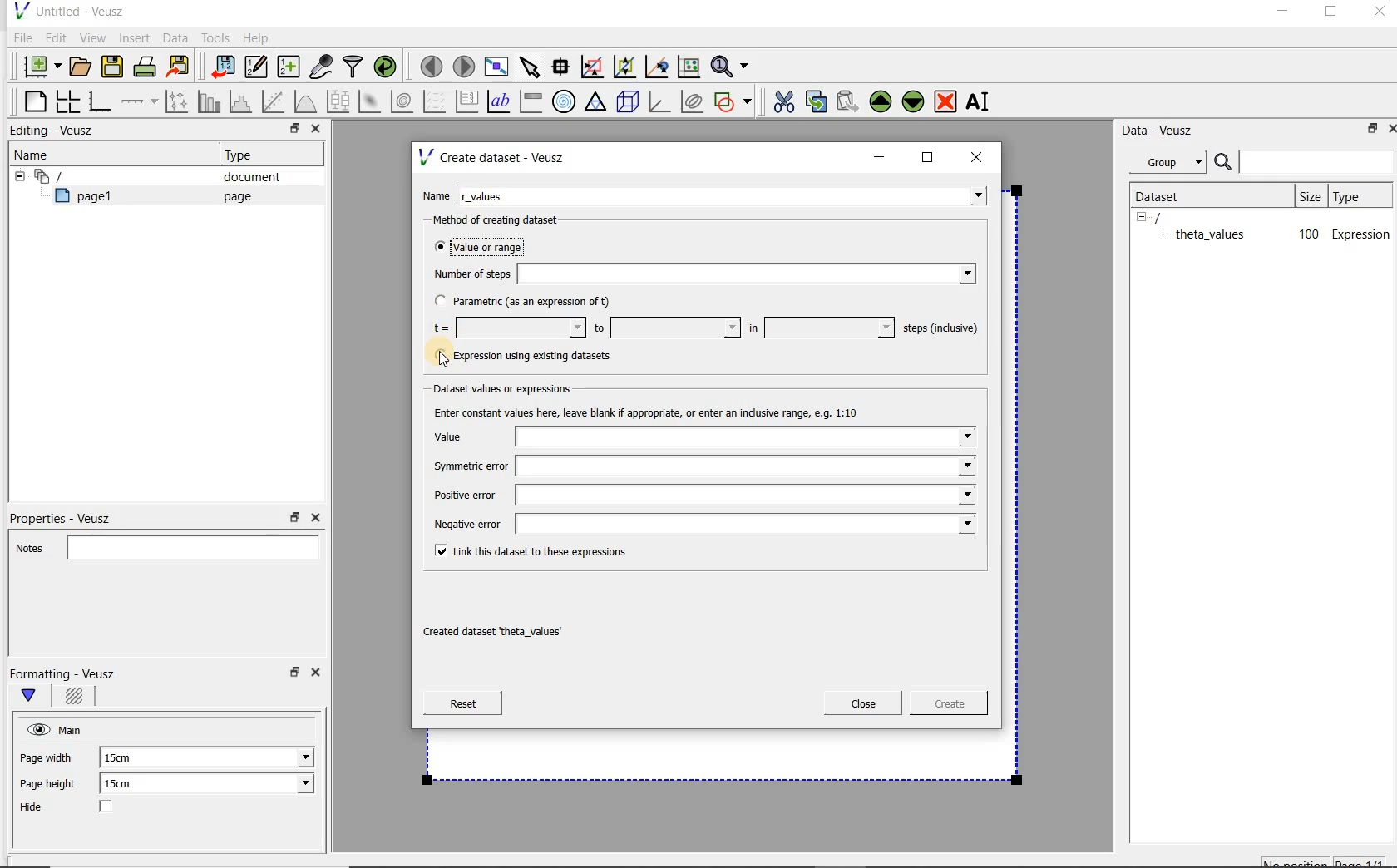 The height and width of the screenshot is (868, 1397). I want to click on maximize, so click(1331, 14).